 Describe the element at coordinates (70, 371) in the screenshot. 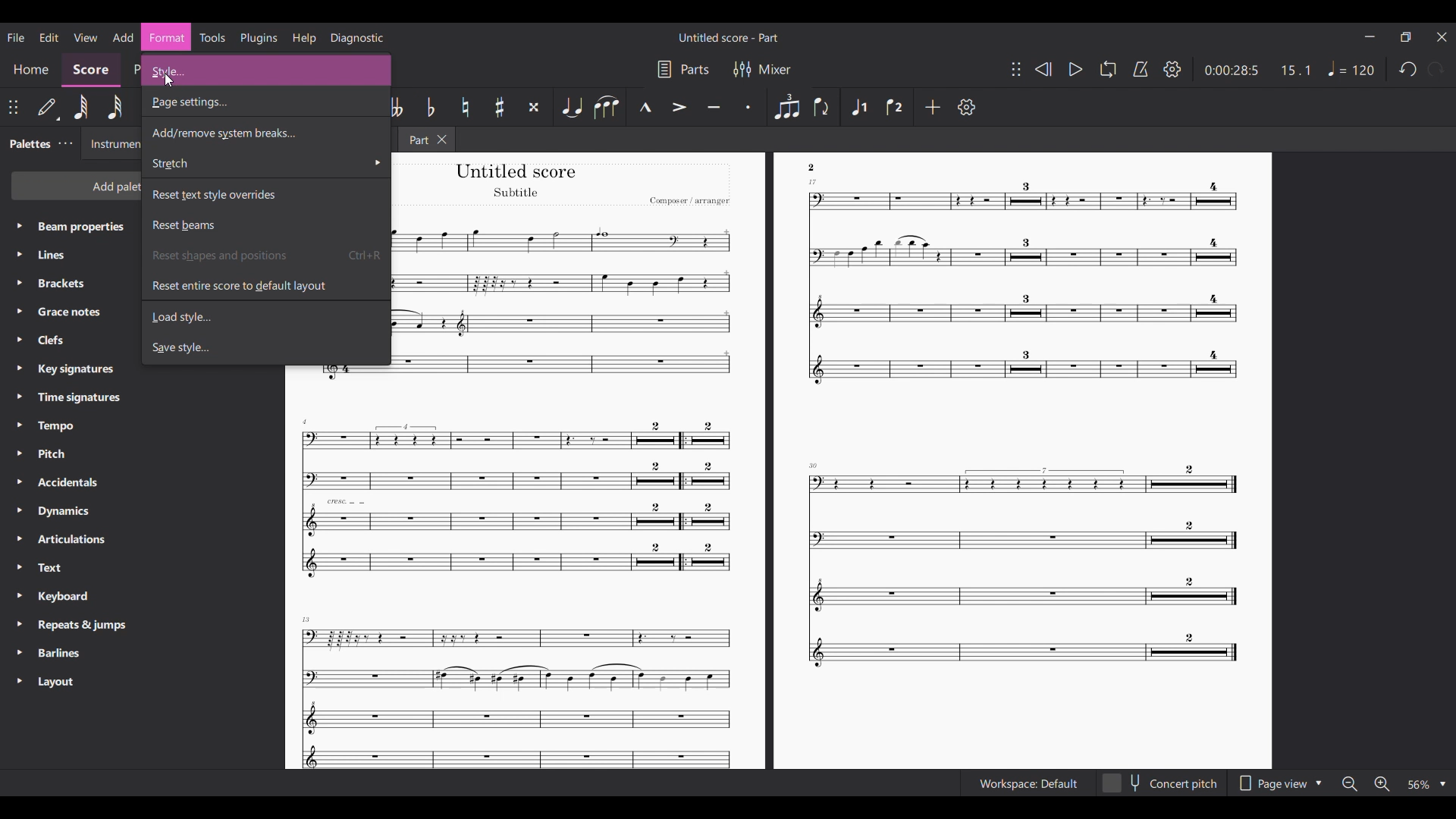

I see `Key signatures` at that location.